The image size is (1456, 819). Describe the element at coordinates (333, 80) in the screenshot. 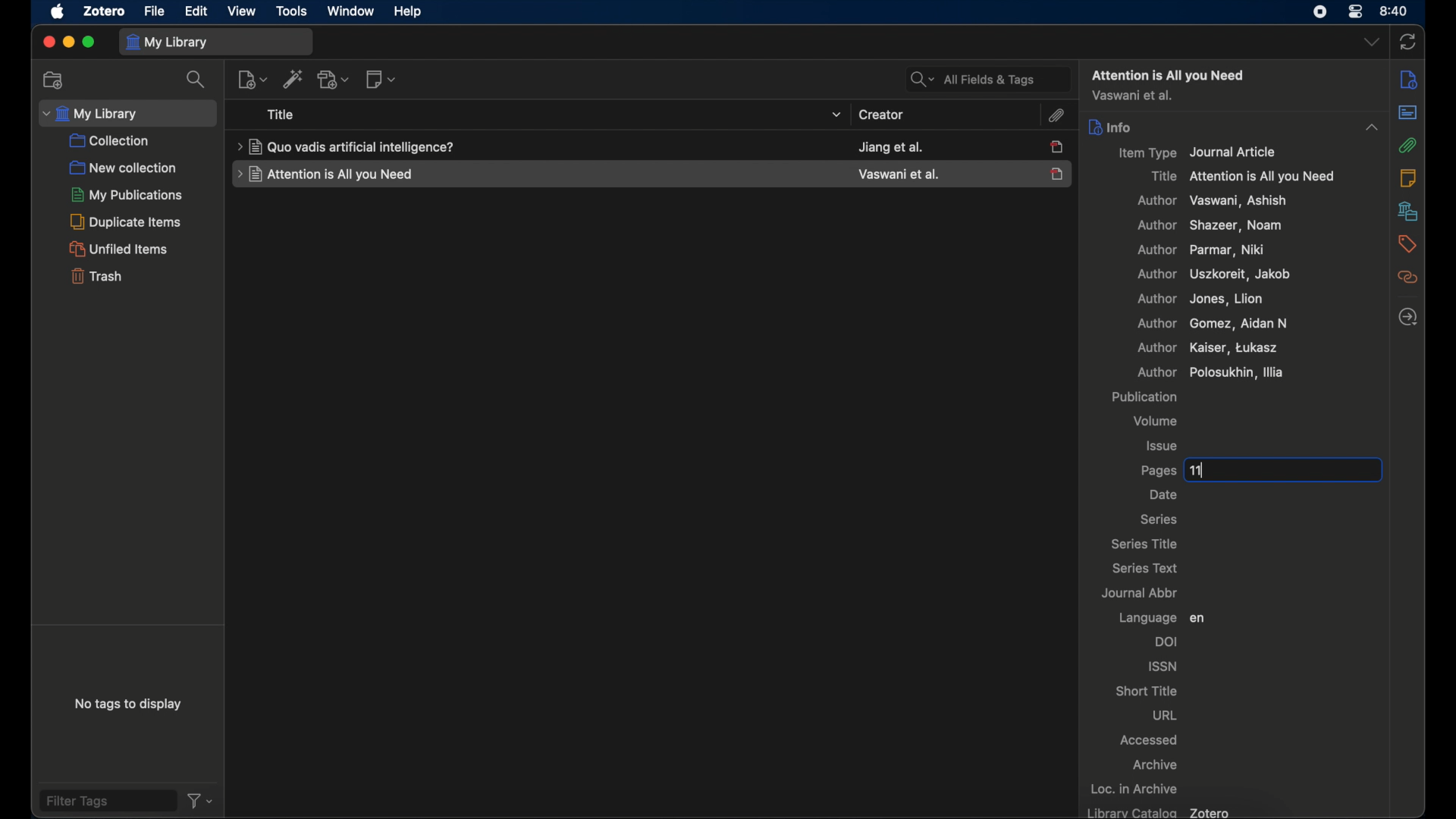

I see `add attachment` at that location.